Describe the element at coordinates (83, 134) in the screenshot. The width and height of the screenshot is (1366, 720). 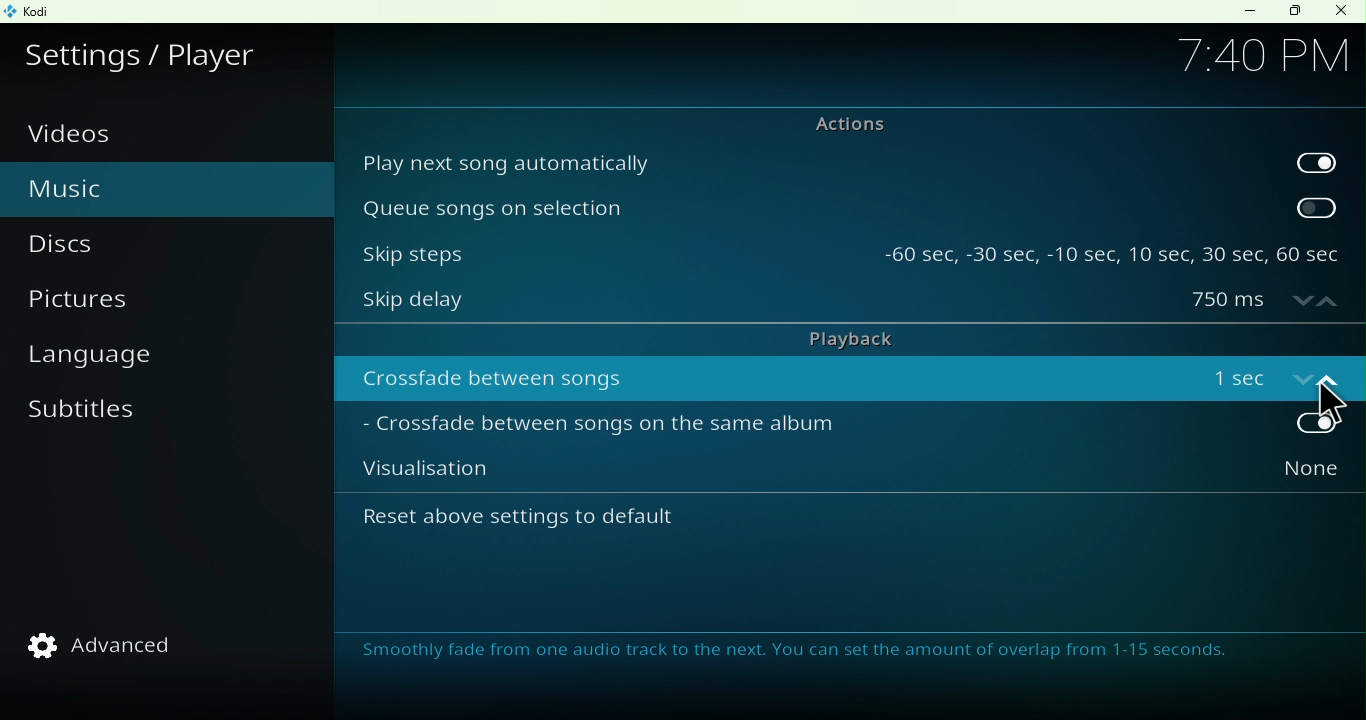
I see `Videos` at that location.